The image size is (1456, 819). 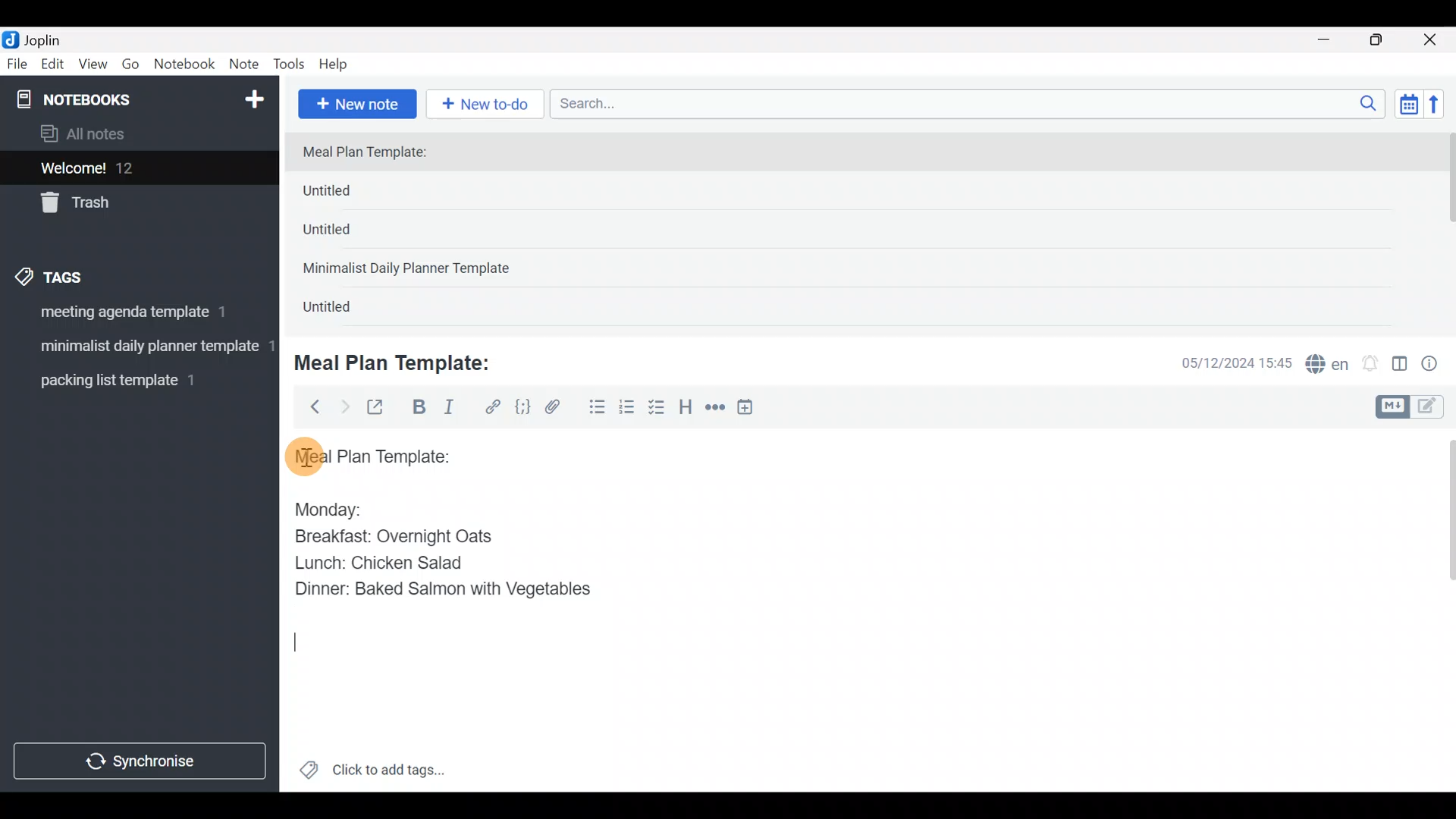 I want to click on Minimize, so click(x=1332, y=38).